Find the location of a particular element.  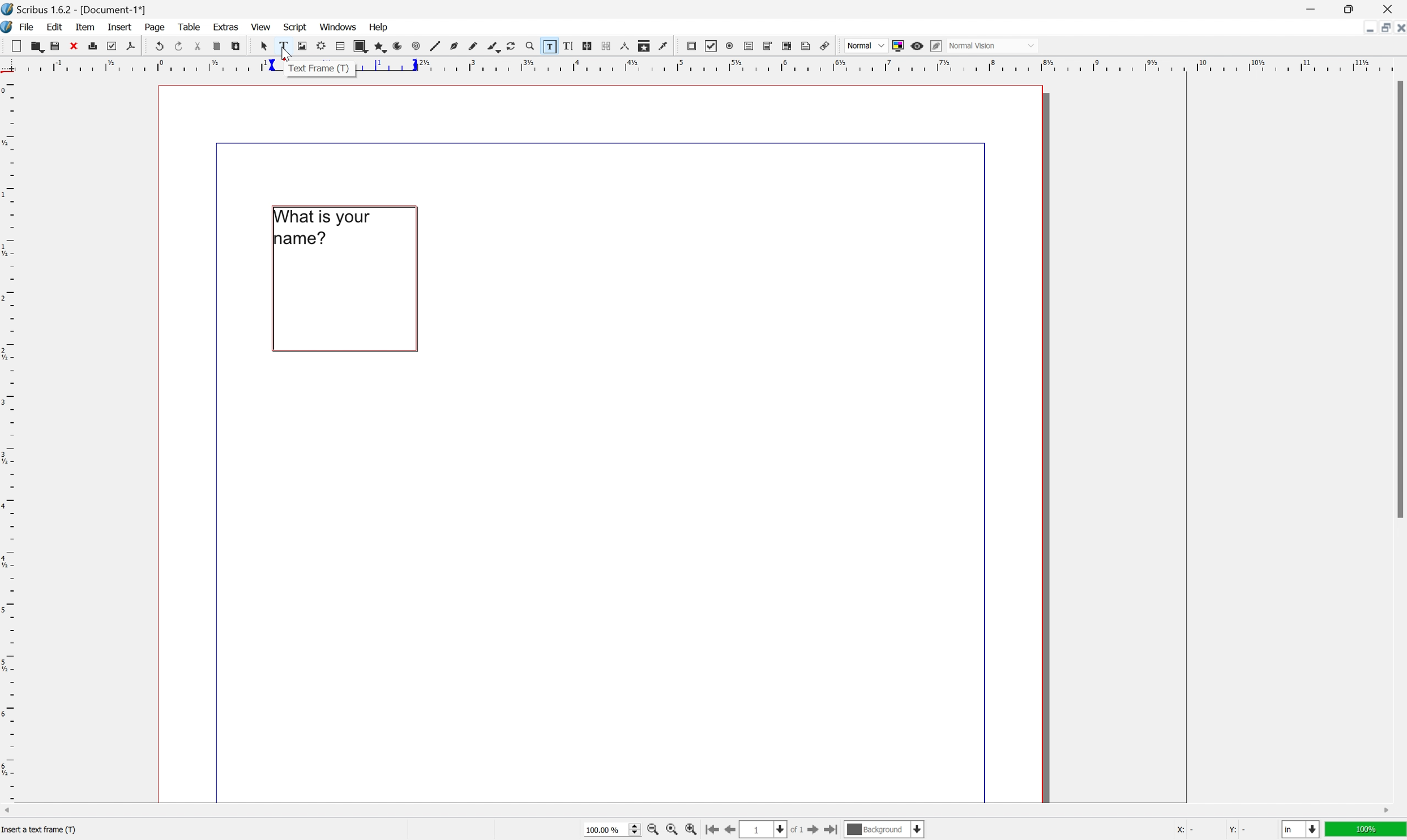

select current page is located at coordinates (774, 830).